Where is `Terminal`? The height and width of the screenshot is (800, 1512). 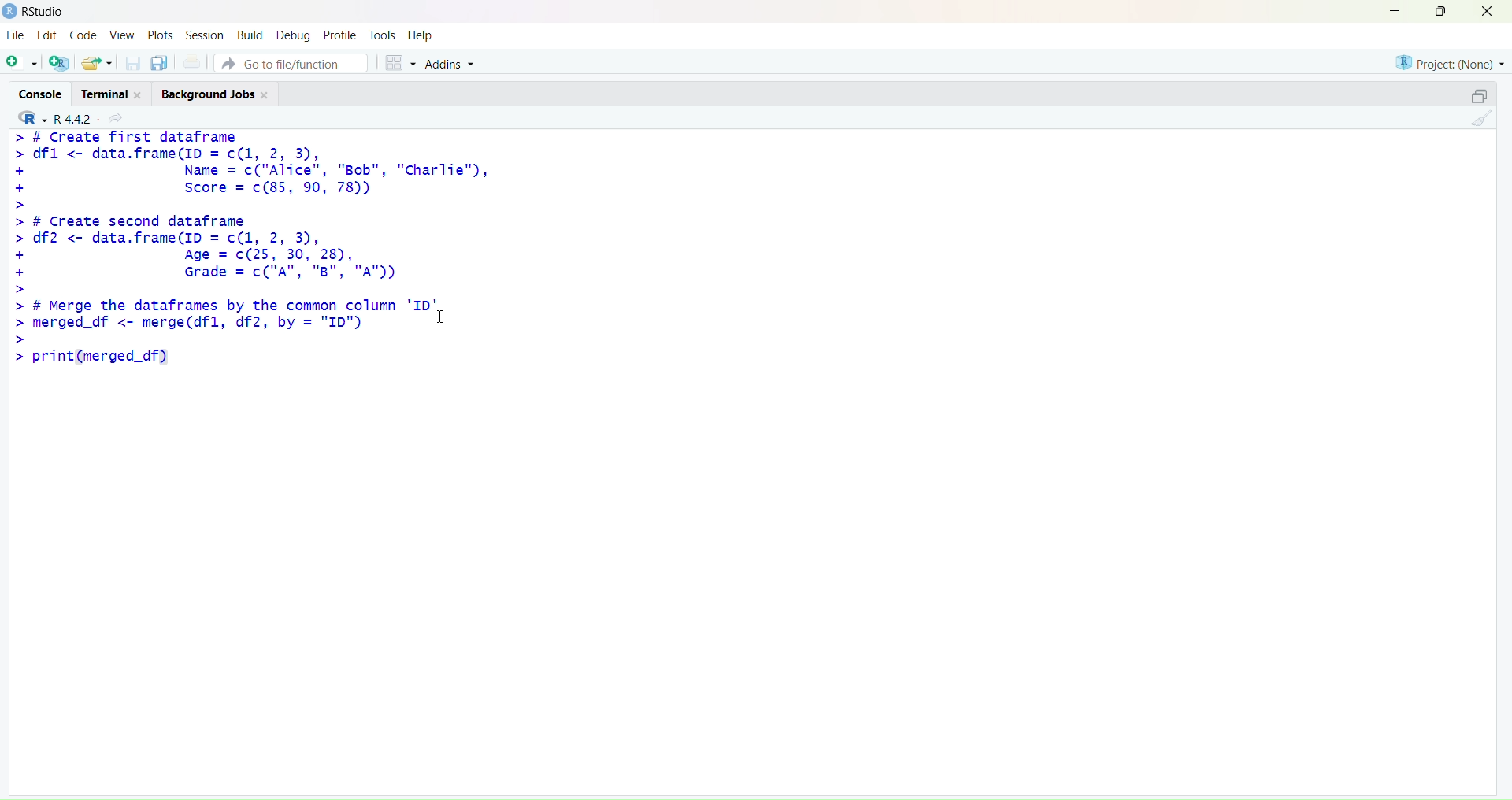
Terminal is located at coordinates (115, 92).